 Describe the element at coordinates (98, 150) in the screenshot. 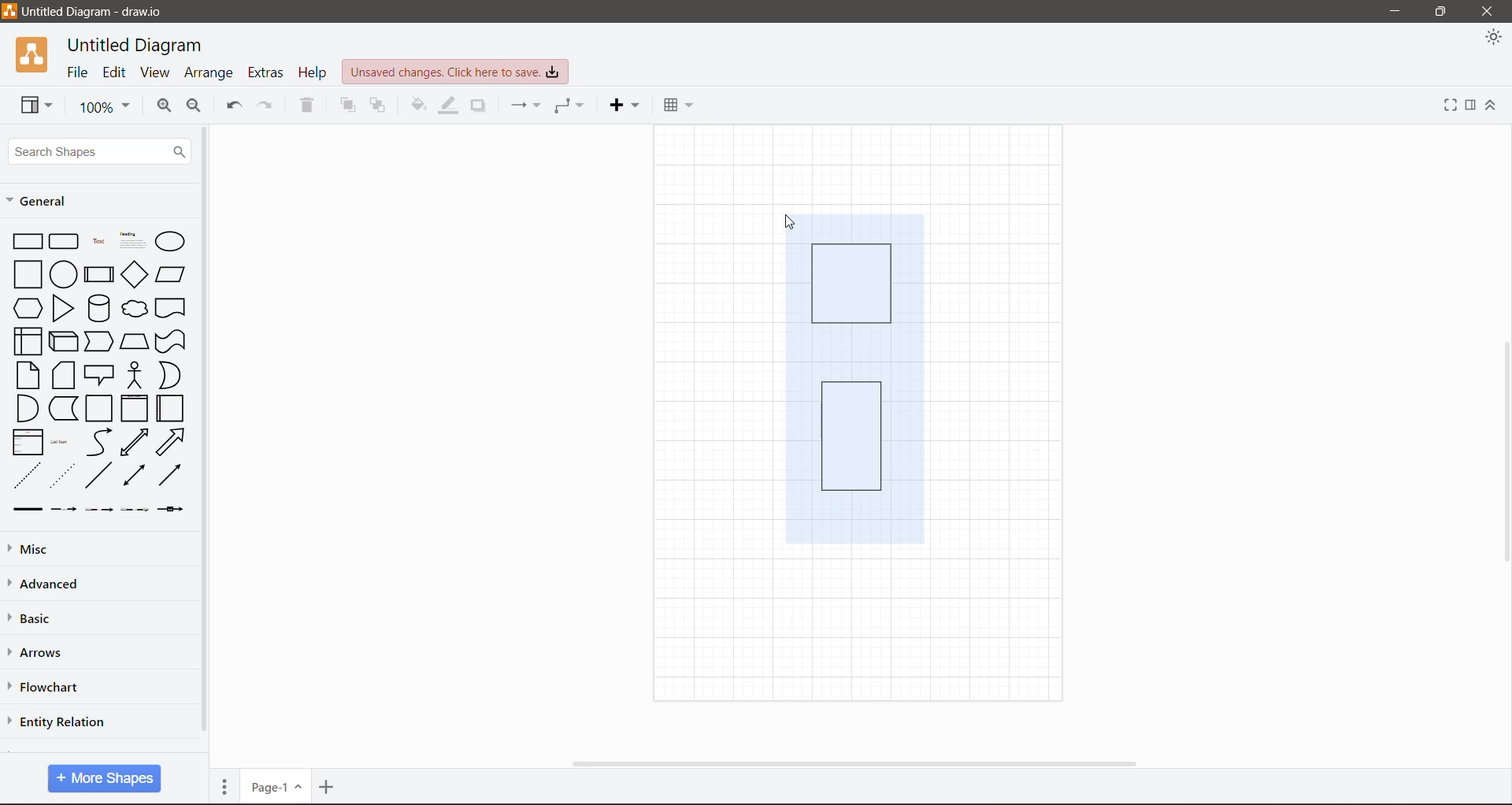

I see `Search Shapes` at that location.